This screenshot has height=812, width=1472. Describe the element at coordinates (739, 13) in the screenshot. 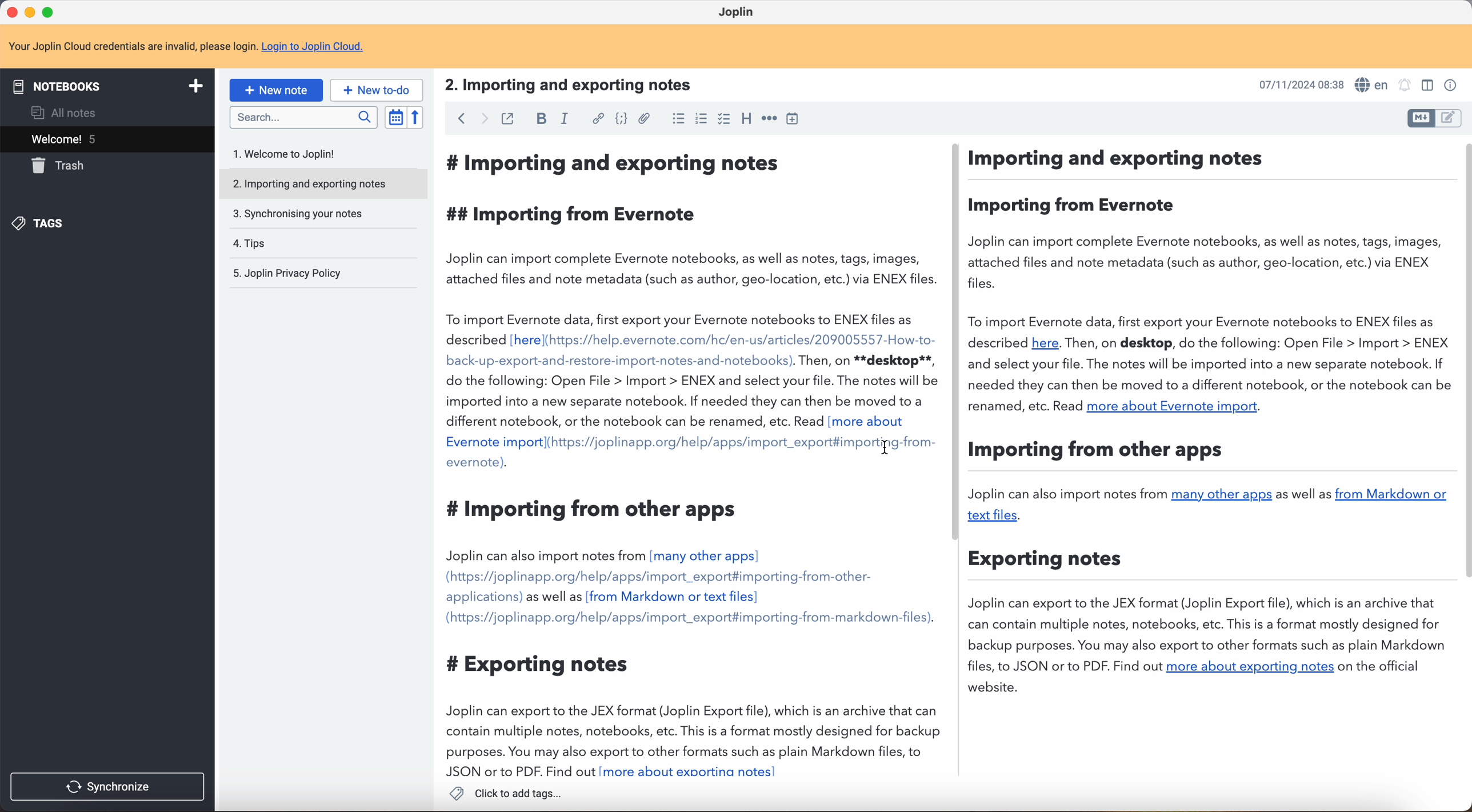

I see `Joplin` at that location.